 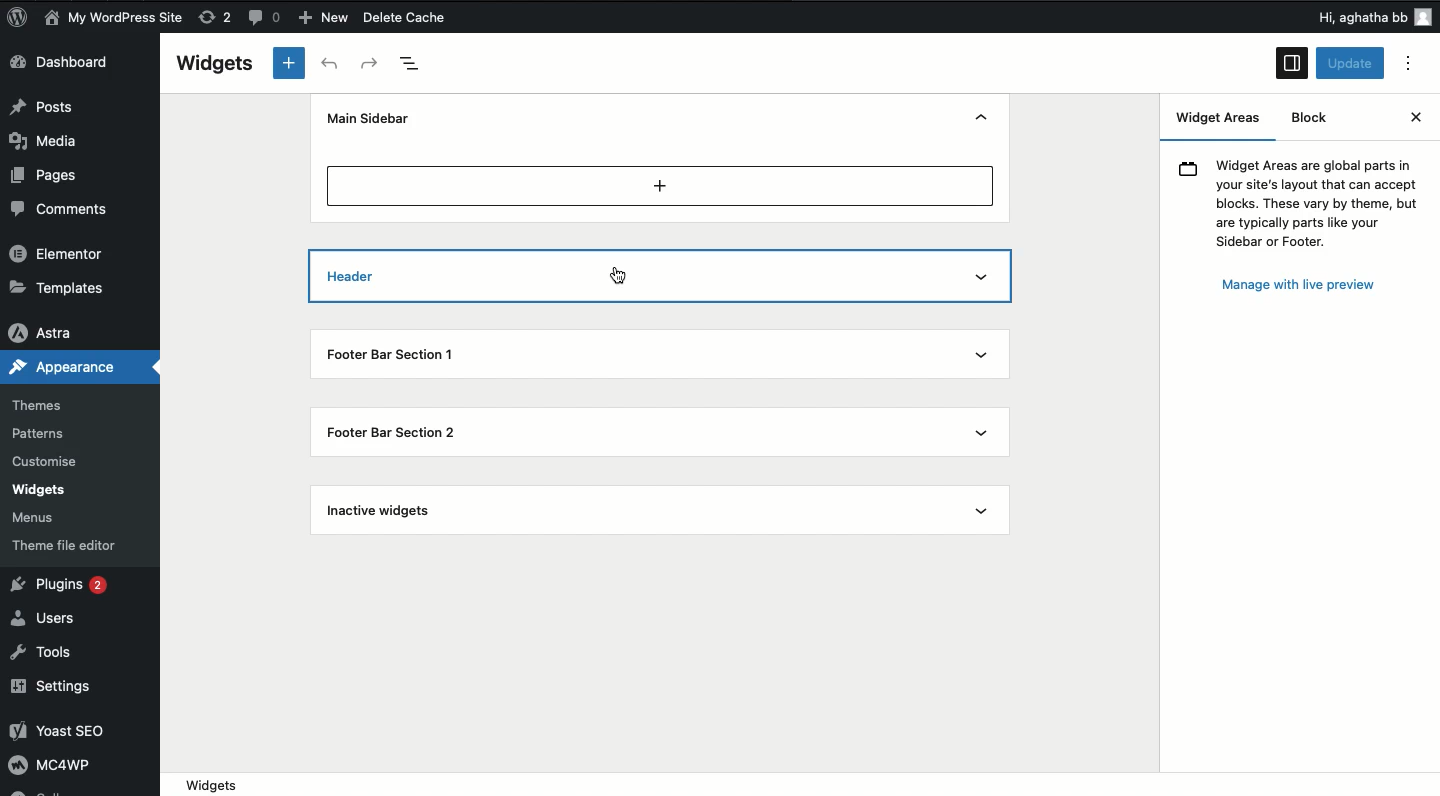 I want to click on Footer bar section 2, so click(x=396, y=433).